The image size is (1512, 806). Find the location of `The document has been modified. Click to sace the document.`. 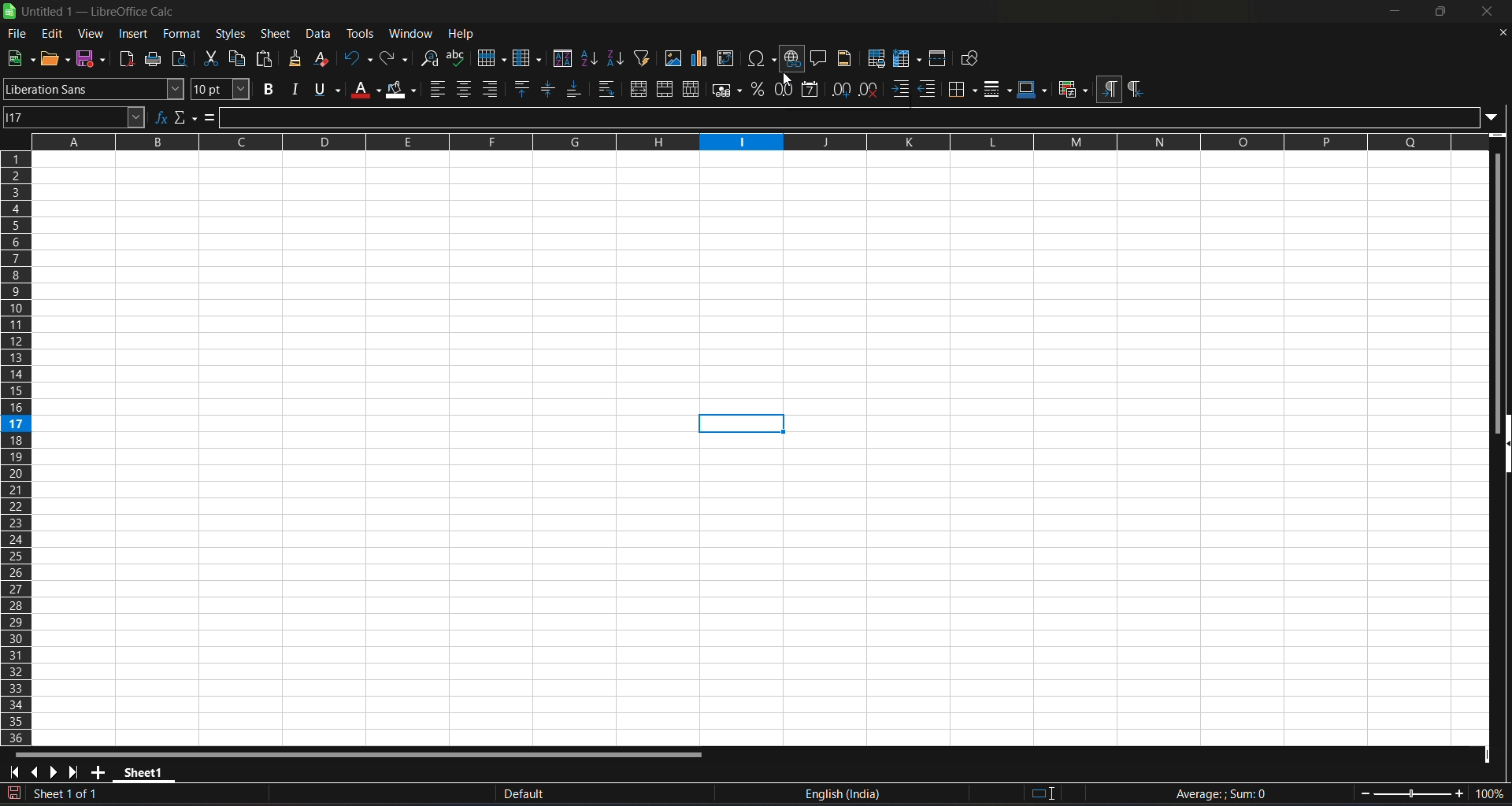

The document has been modified. Click to sace the document. is located at coordinates (250, 795).